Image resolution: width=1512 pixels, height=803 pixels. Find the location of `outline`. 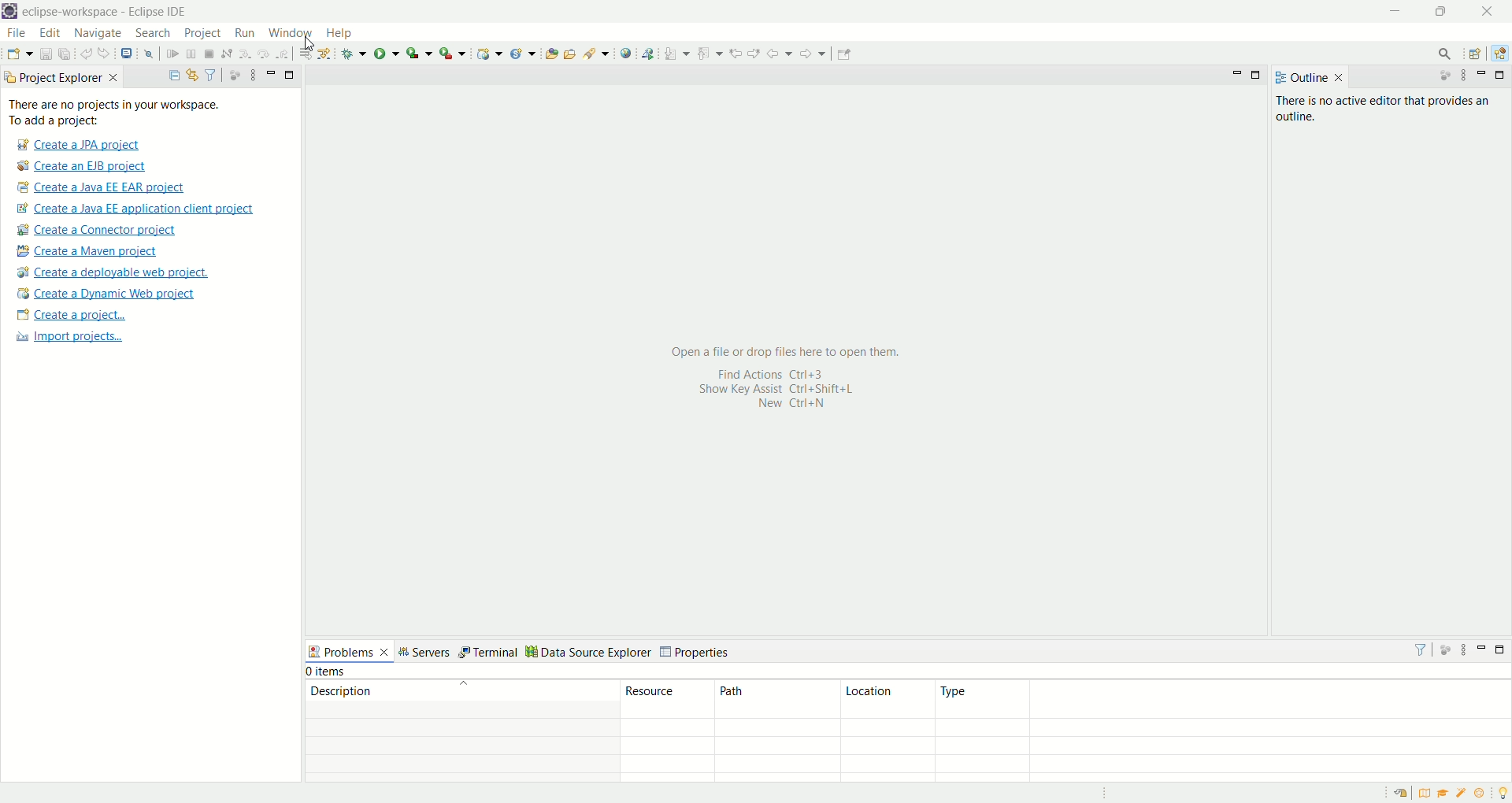

outline is located at coordinates (1310, 77).